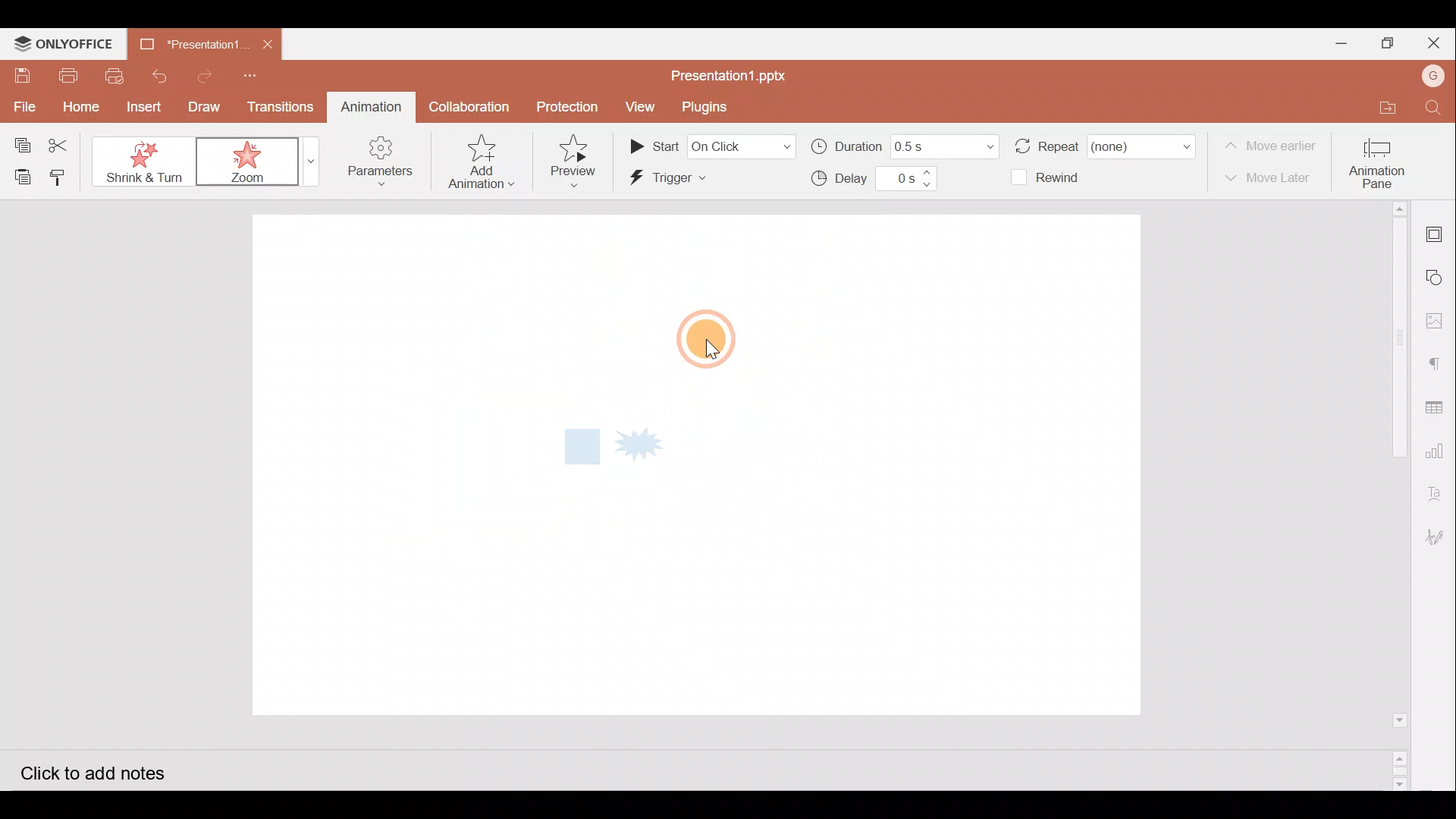 The image size is (1456, 819). What do you see at coordinates (1385, 43) in the screenshot?
I see `Maximize` at bounding box center [1385, 43].